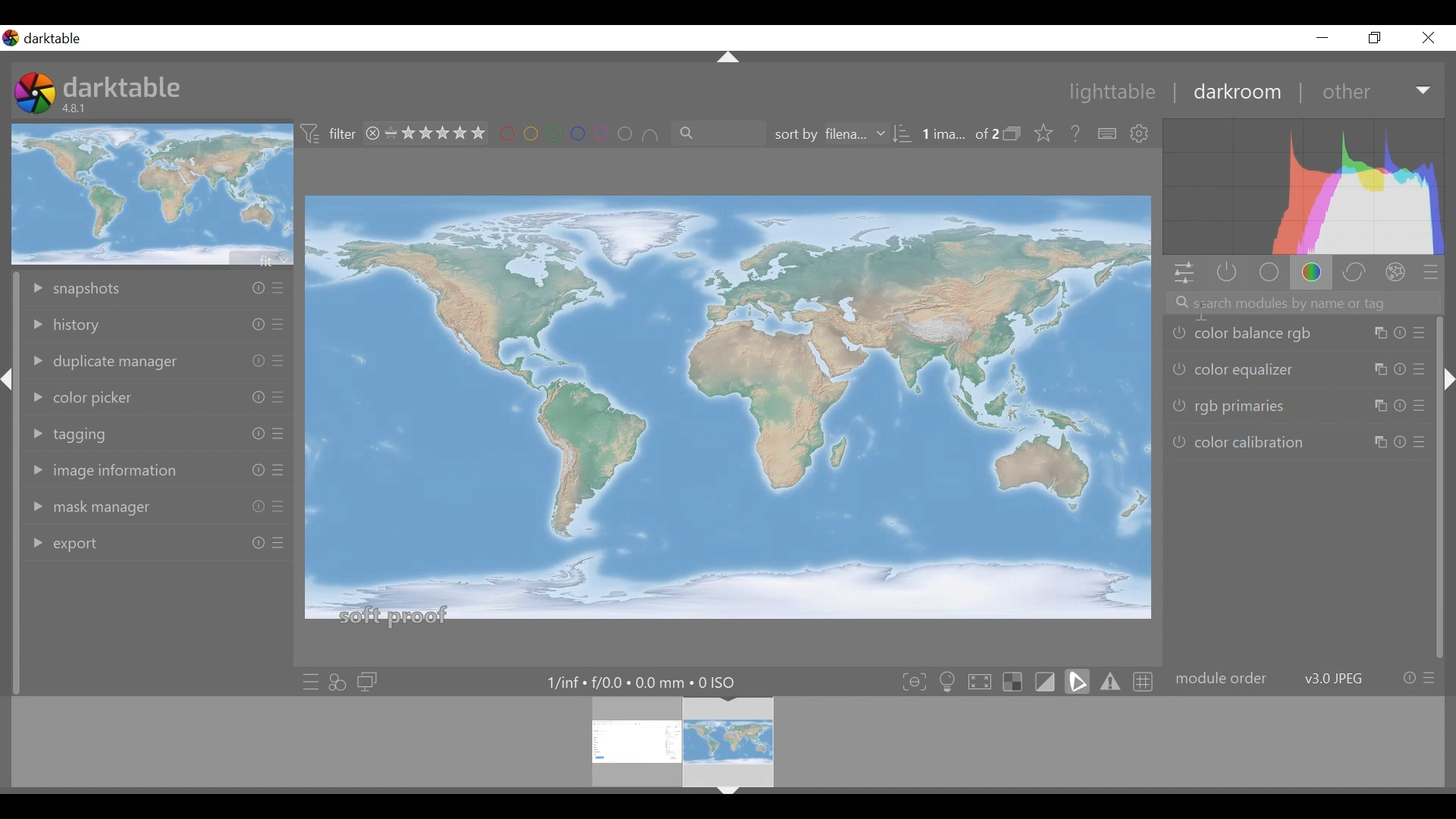  Describe the element at coordinates (1399, 275) in the screenshot. I see `effect ` at that location.